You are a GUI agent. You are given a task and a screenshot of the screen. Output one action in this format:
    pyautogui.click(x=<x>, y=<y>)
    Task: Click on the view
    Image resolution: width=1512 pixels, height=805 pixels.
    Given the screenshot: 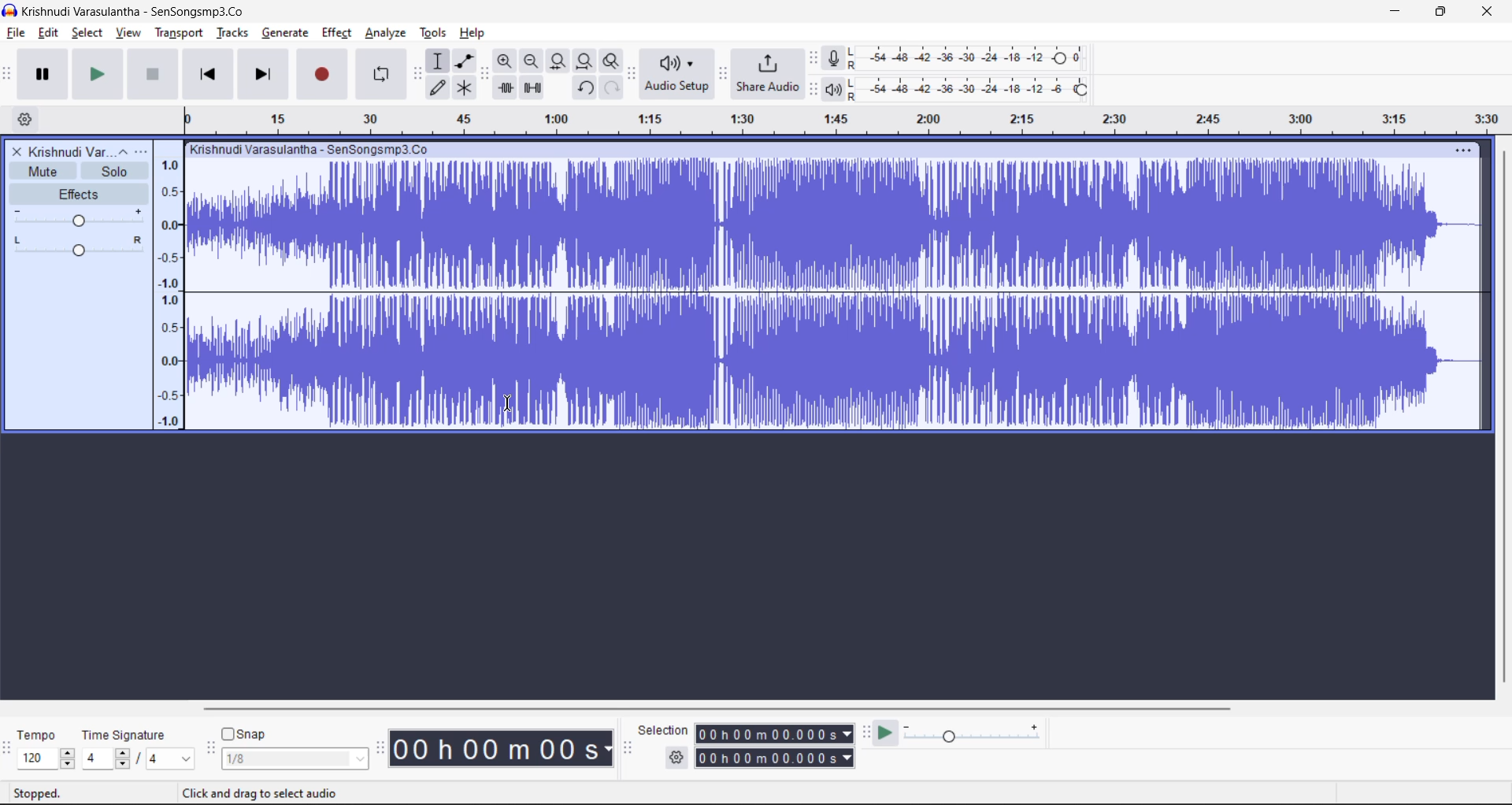 What is the action you would take?
    pyautogui.click(x=131, y=33)
    